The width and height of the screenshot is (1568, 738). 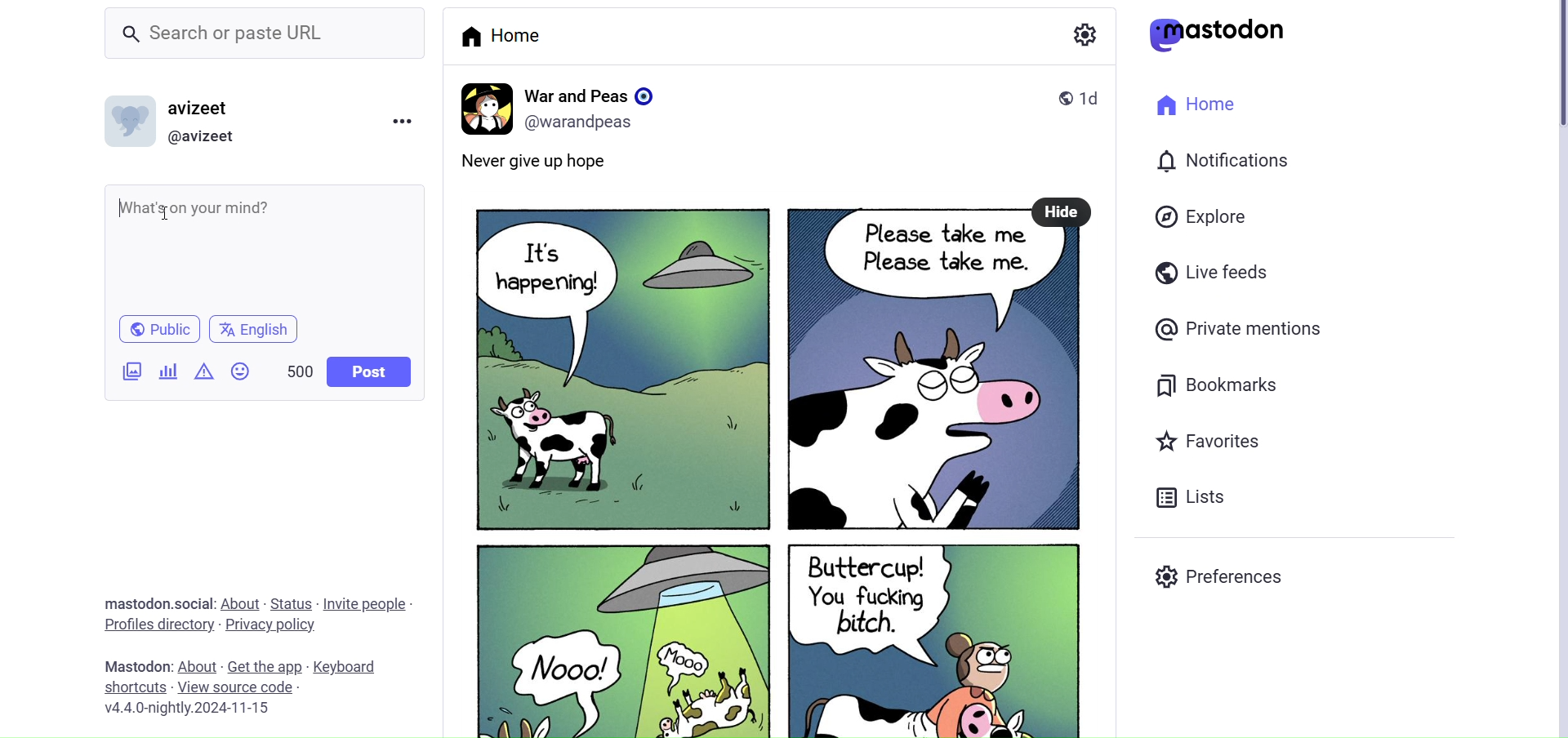 I want to click on Mastodon.social, so click(x=155, y=601).